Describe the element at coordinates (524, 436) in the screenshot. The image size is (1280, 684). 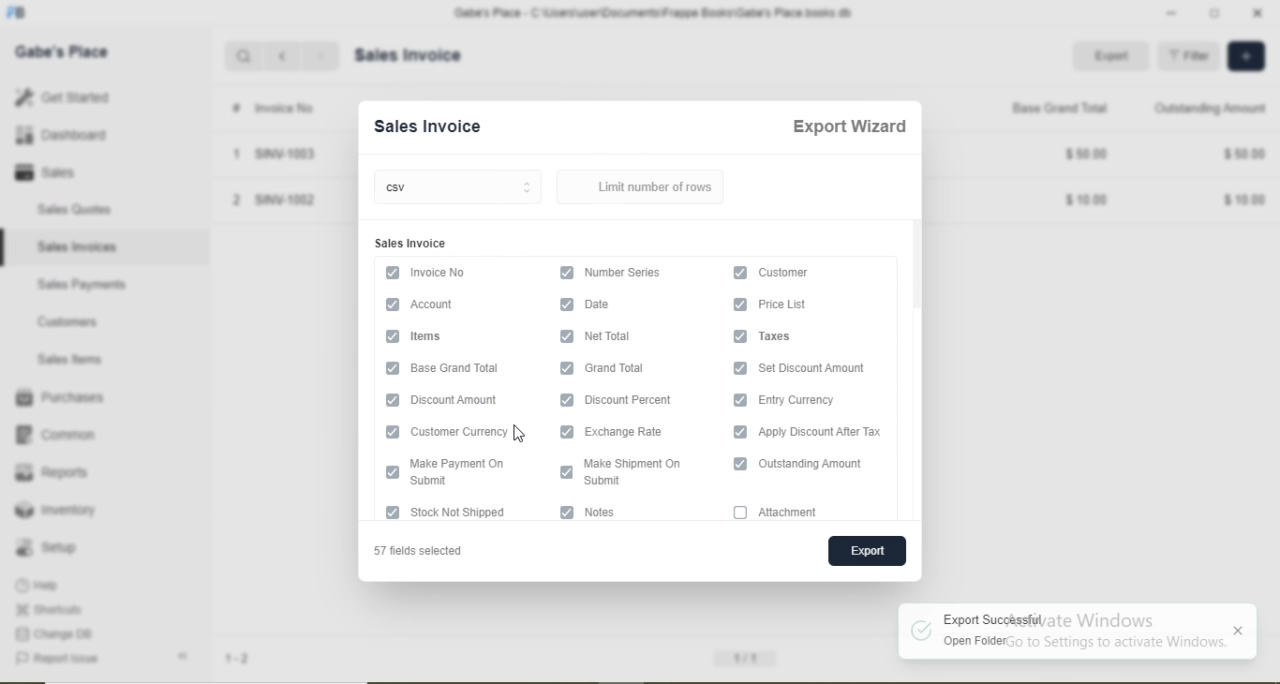
I see `cursor` at that location.